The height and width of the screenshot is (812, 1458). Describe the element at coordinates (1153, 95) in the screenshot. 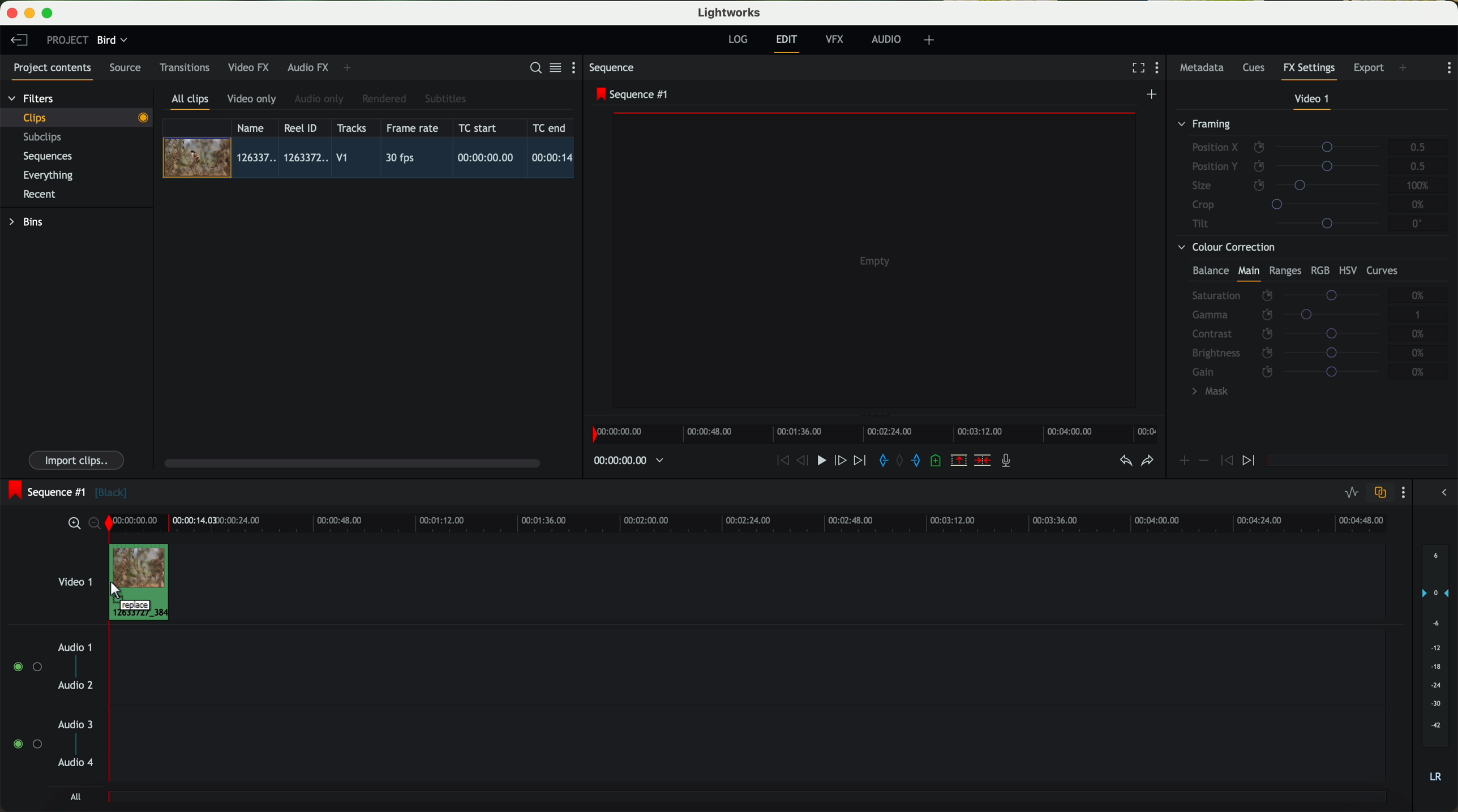

I see `create a new sequence` at that location.